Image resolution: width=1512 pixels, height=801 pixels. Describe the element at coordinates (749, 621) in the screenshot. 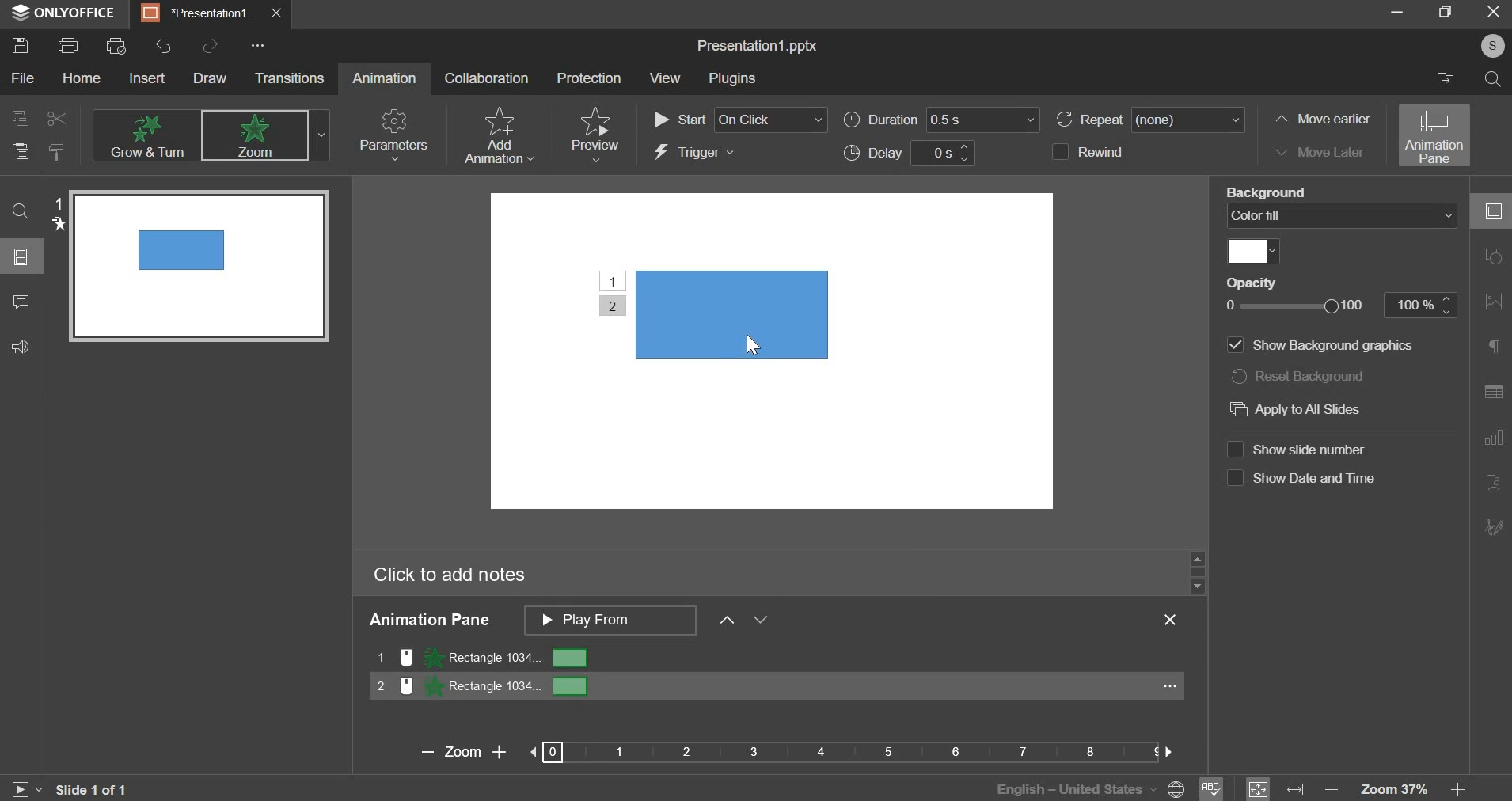

I see `Move Up/Down` at that location.